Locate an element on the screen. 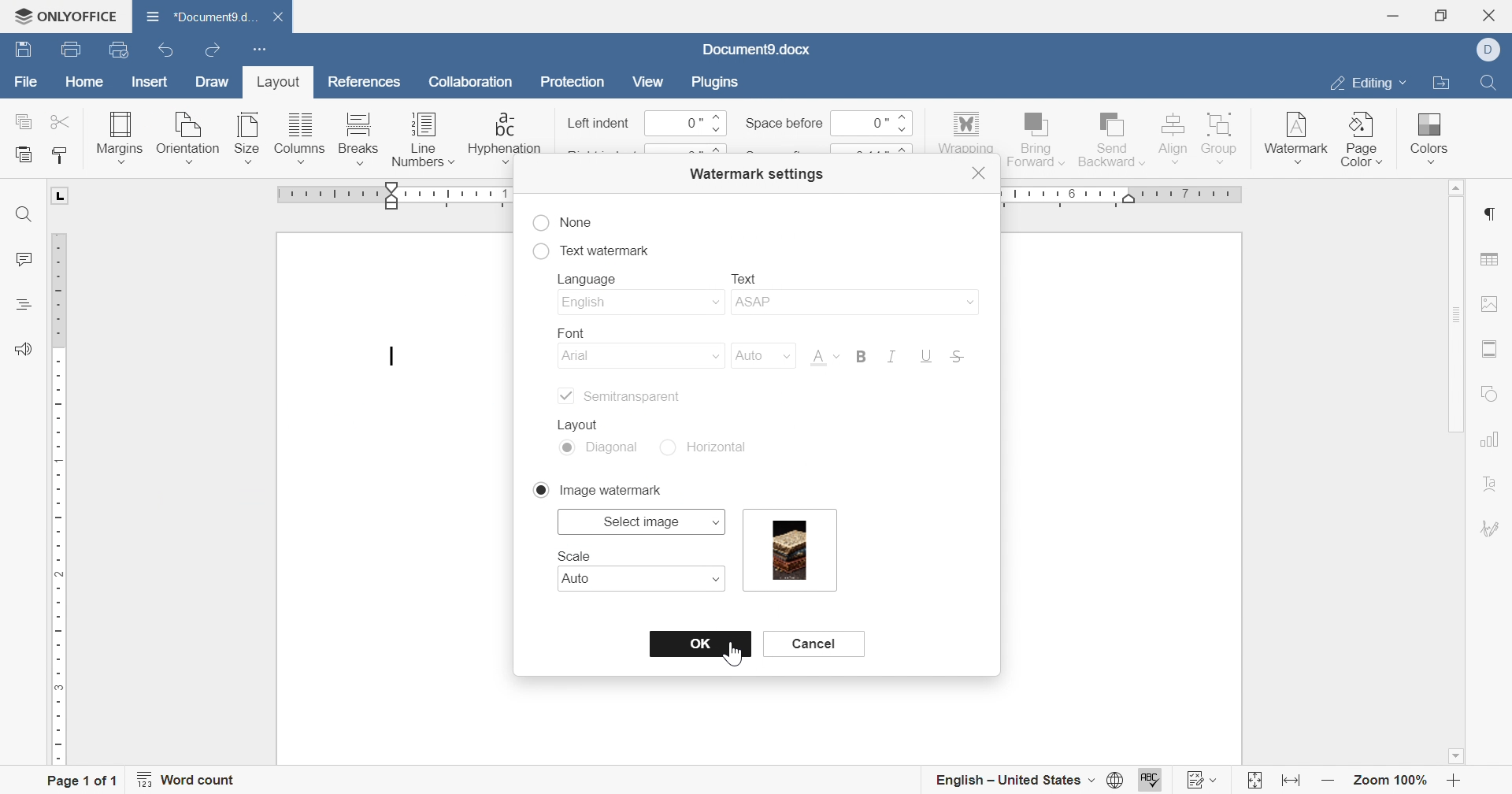 The image size is (1512, 794). scroll bar is located at coordinates (1454, 314).